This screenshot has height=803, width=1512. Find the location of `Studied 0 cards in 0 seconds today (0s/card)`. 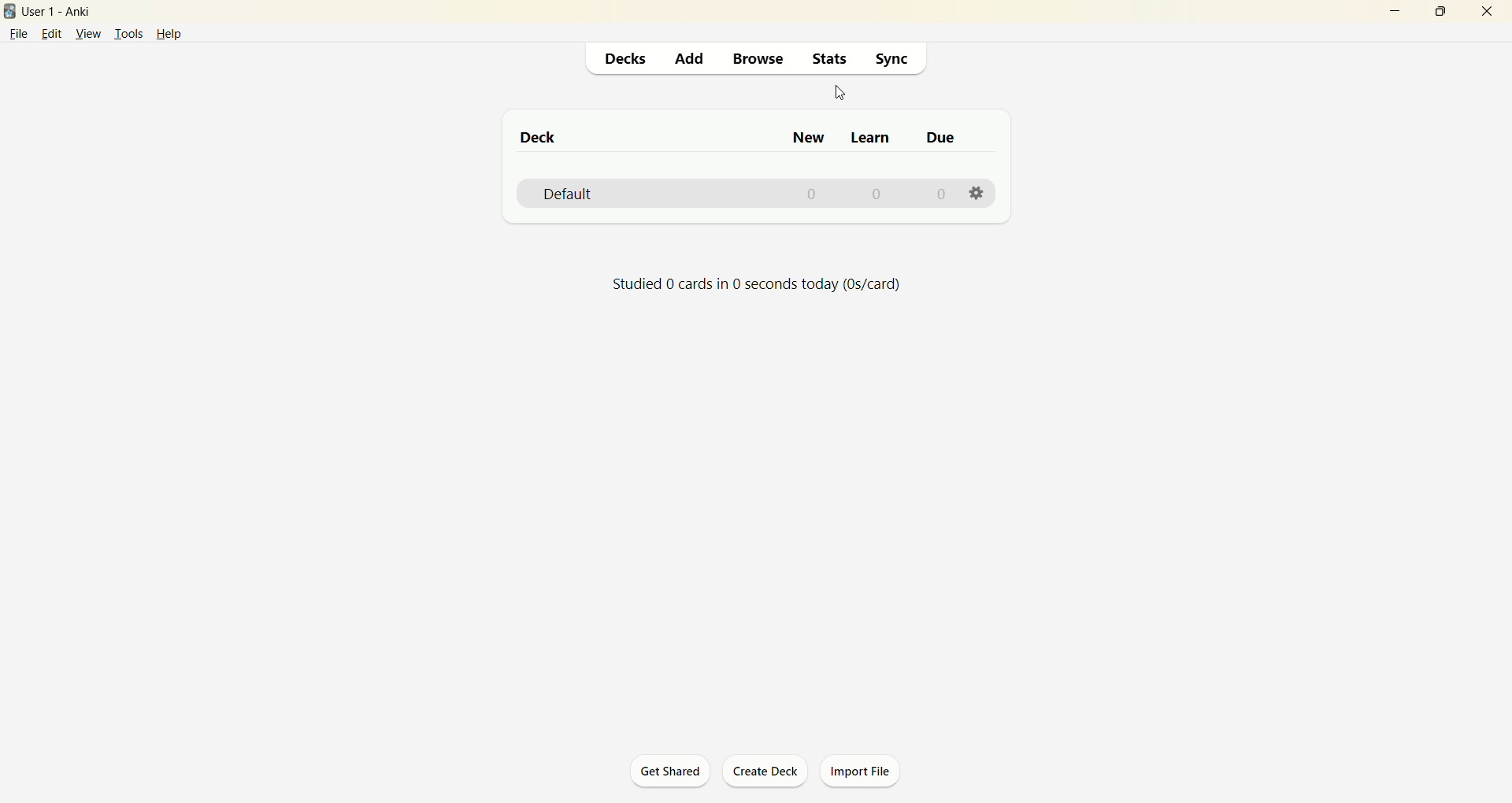

Studied 0 cards in 0 seconds today (0s/card) is located at coordinates (756, 286).